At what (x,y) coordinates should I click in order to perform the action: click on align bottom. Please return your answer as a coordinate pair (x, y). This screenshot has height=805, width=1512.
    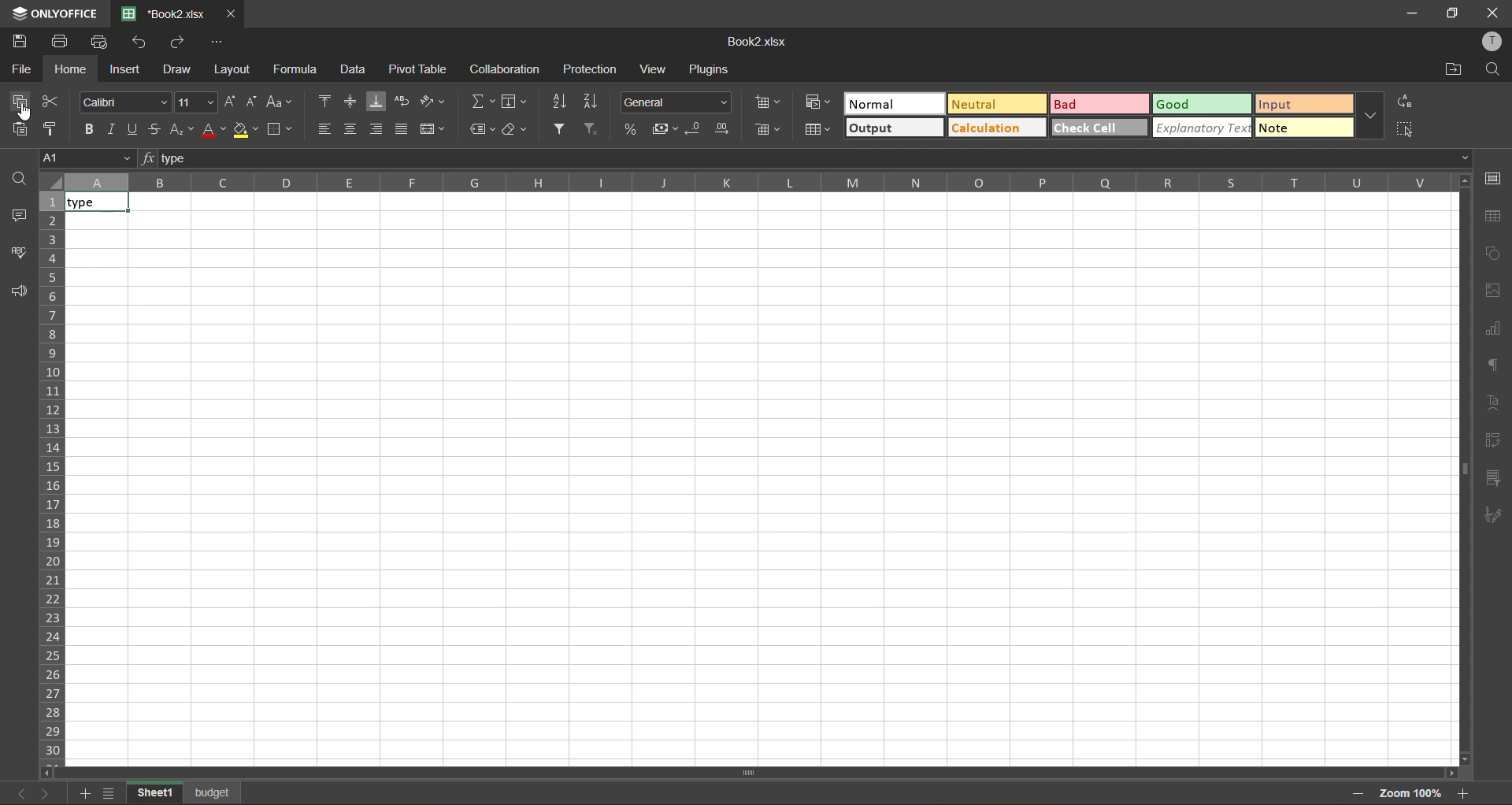
    Looking at the image, I should click on (375, 101).